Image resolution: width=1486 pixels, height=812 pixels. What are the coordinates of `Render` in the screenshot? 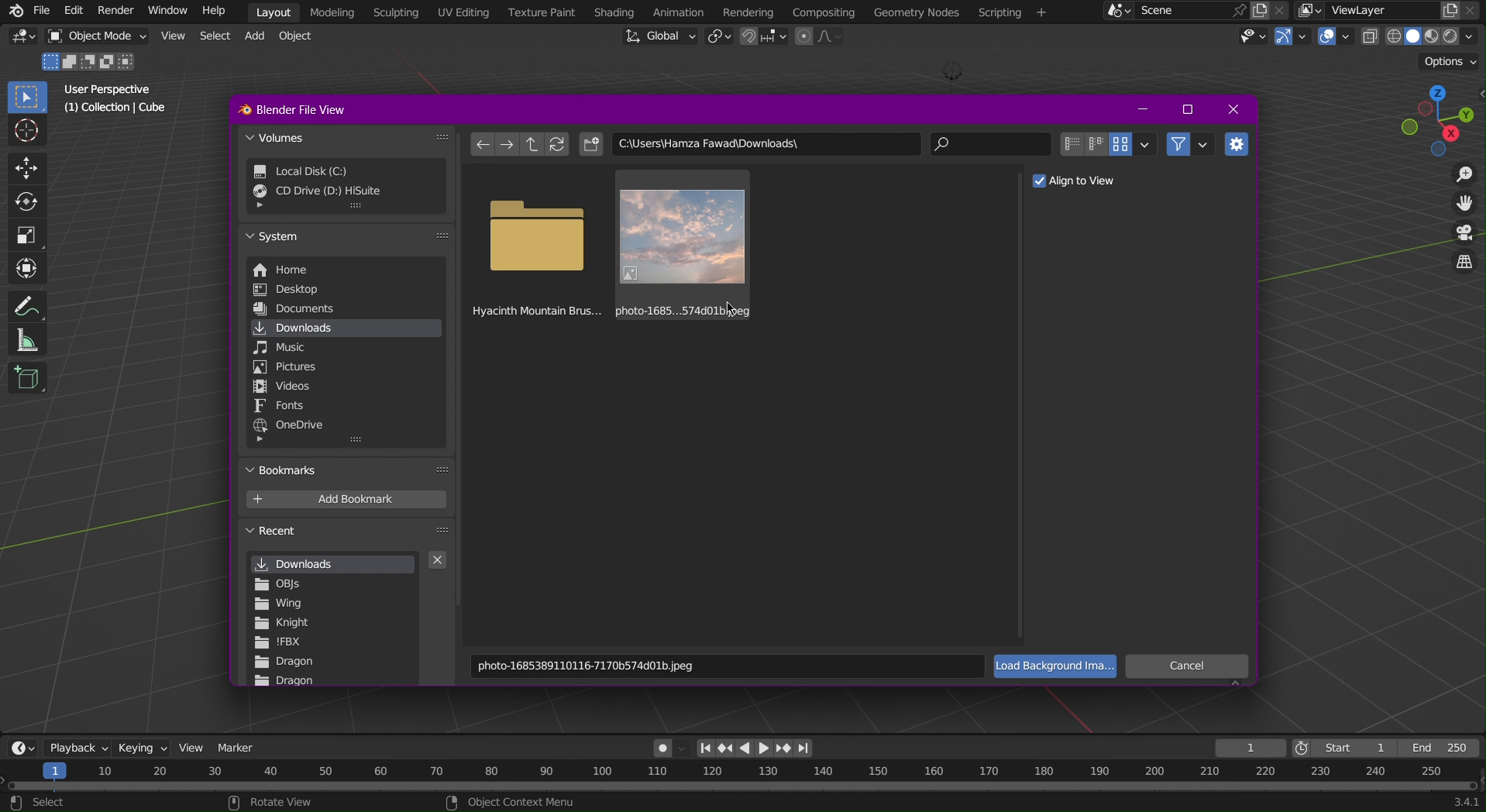 It's located at (114, 12).